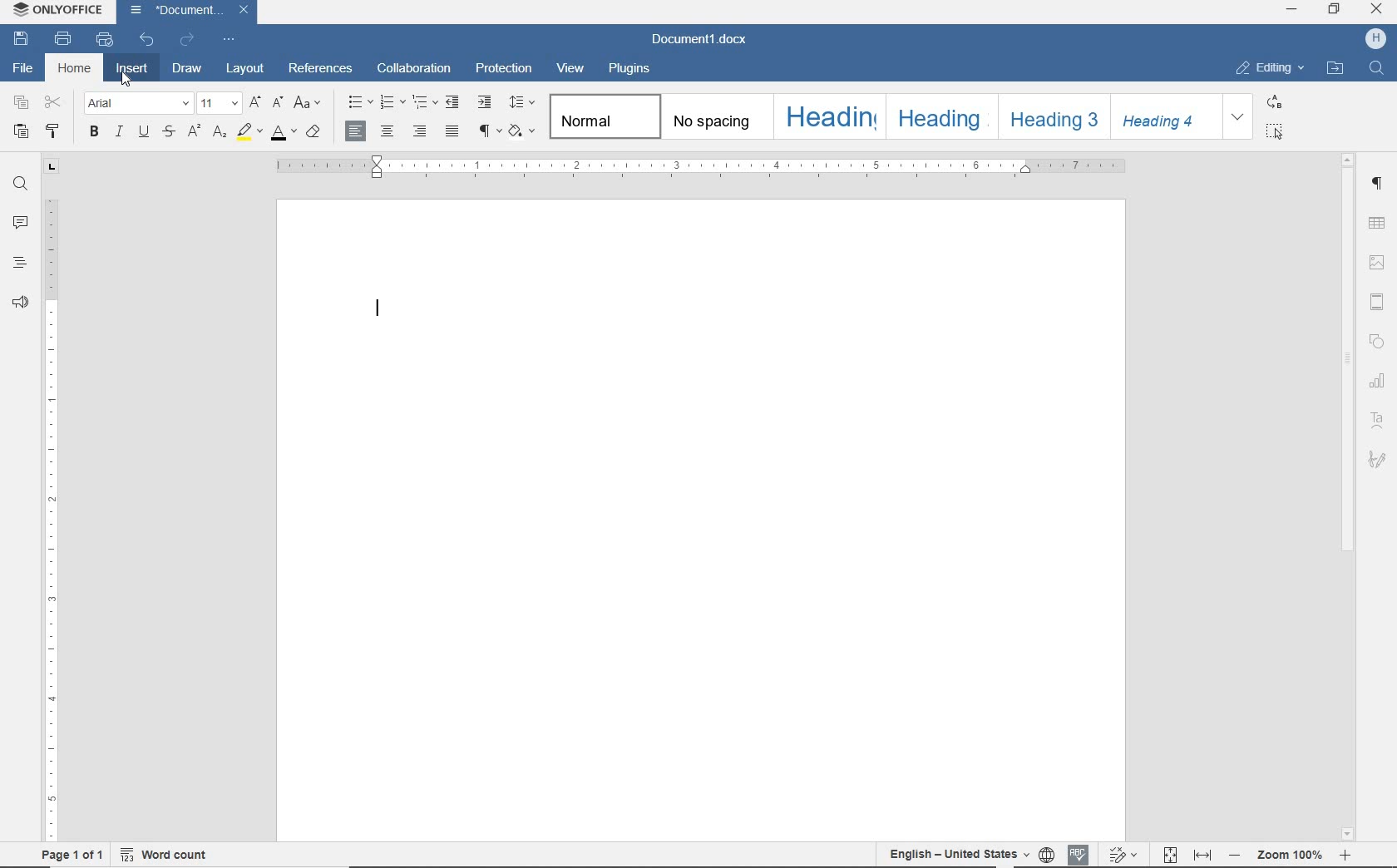 The width and height of the screenshot is (1397, 868). Describe the element at coordinates (505, 72) in the screenshot. I see `protection` at that location.